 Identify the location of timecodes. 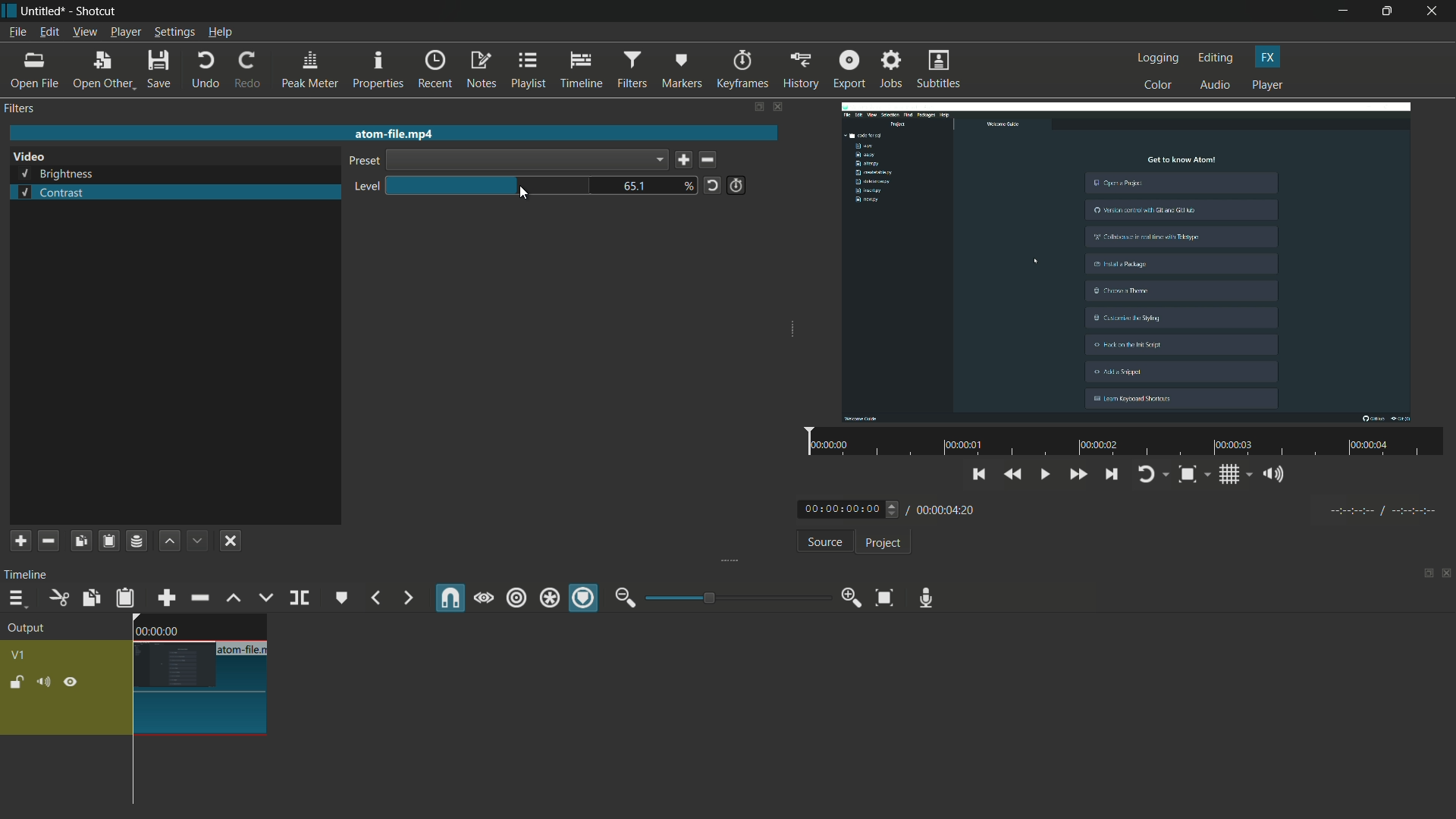
(1381, 508).